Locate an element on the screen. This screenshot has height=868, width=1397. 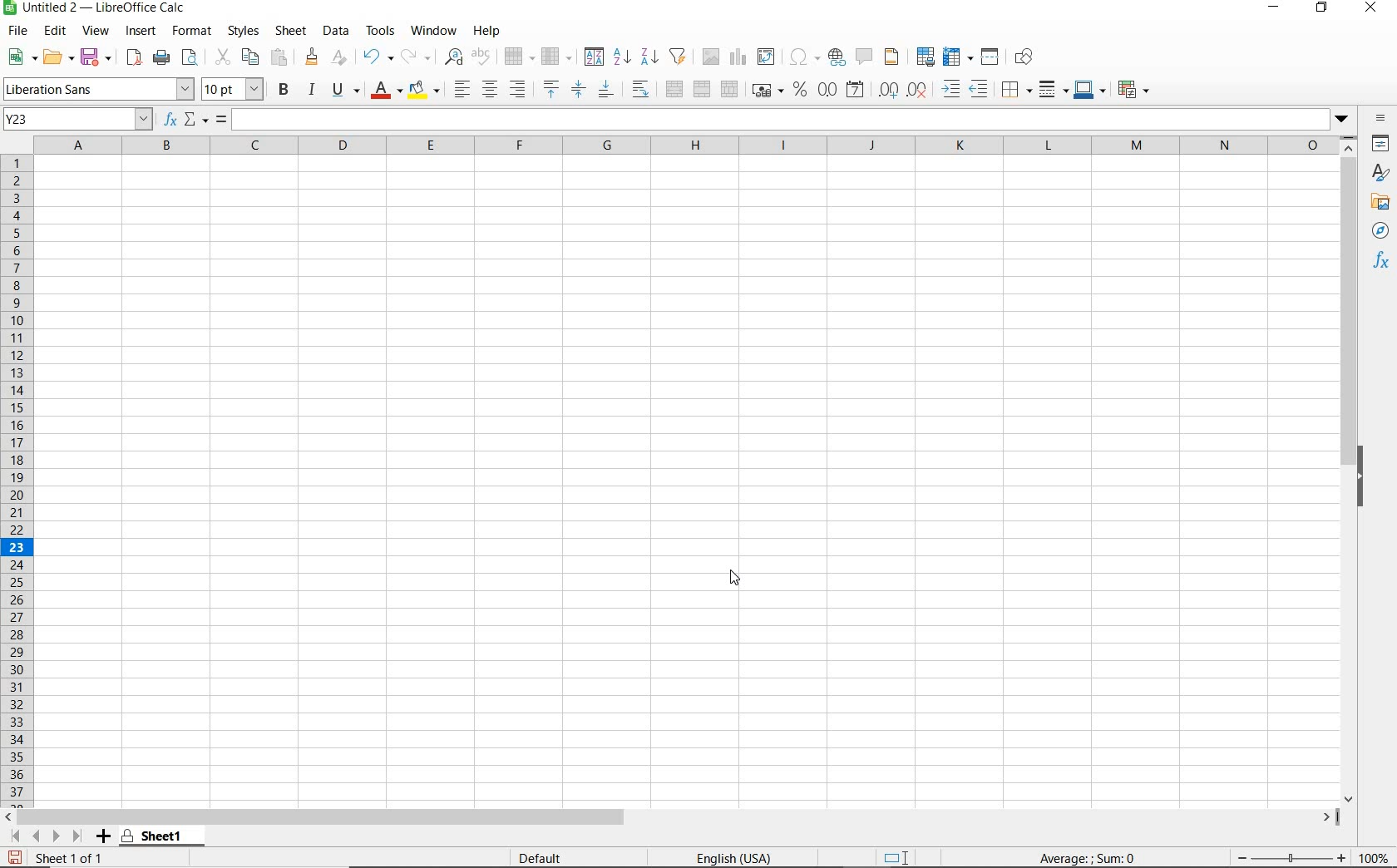
INSERT CHART is located at coordinates (738, 57).